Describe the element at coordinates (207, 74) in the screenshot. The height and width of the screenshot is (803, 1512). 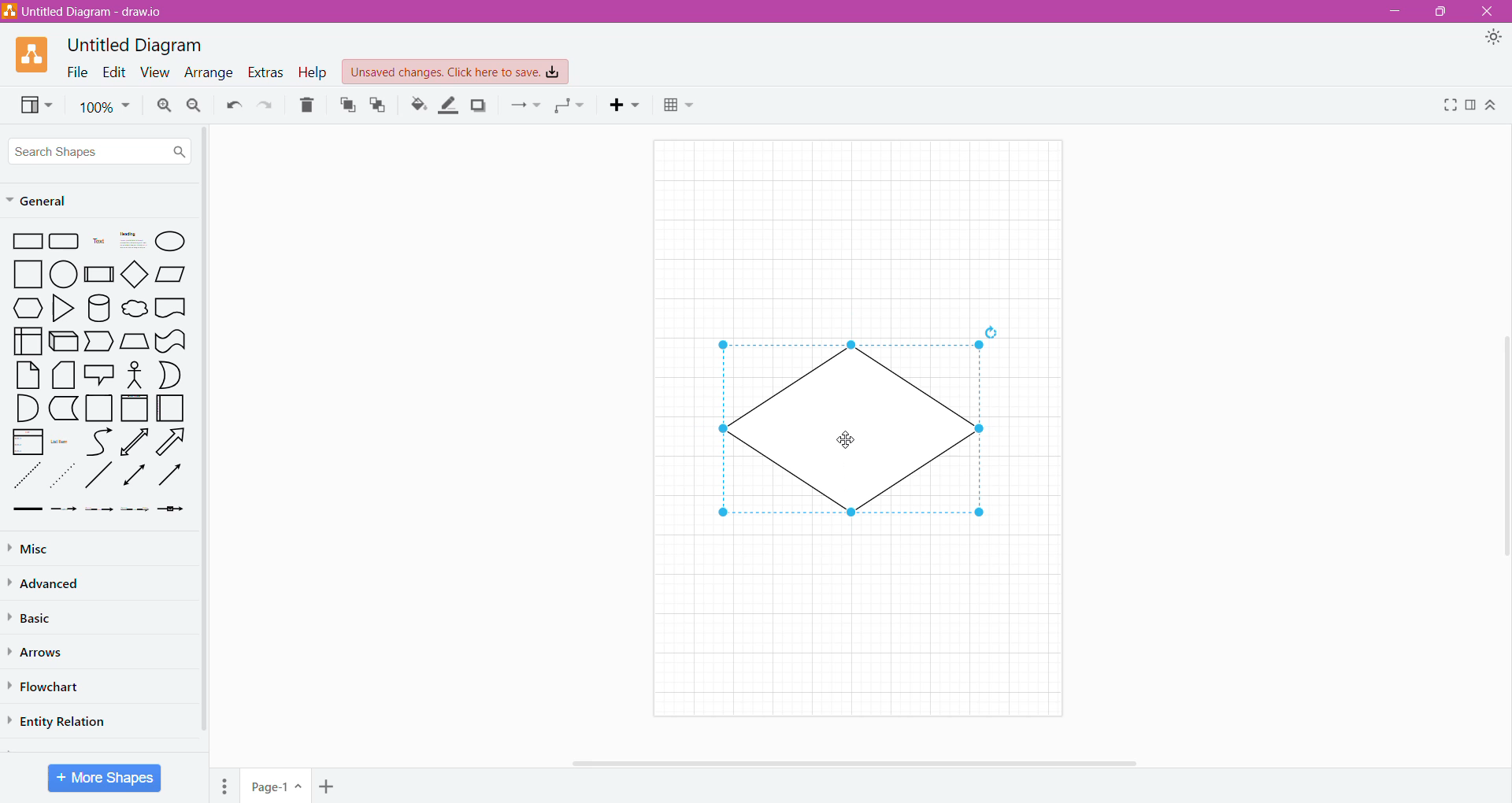
I see `Arrange` at that location.